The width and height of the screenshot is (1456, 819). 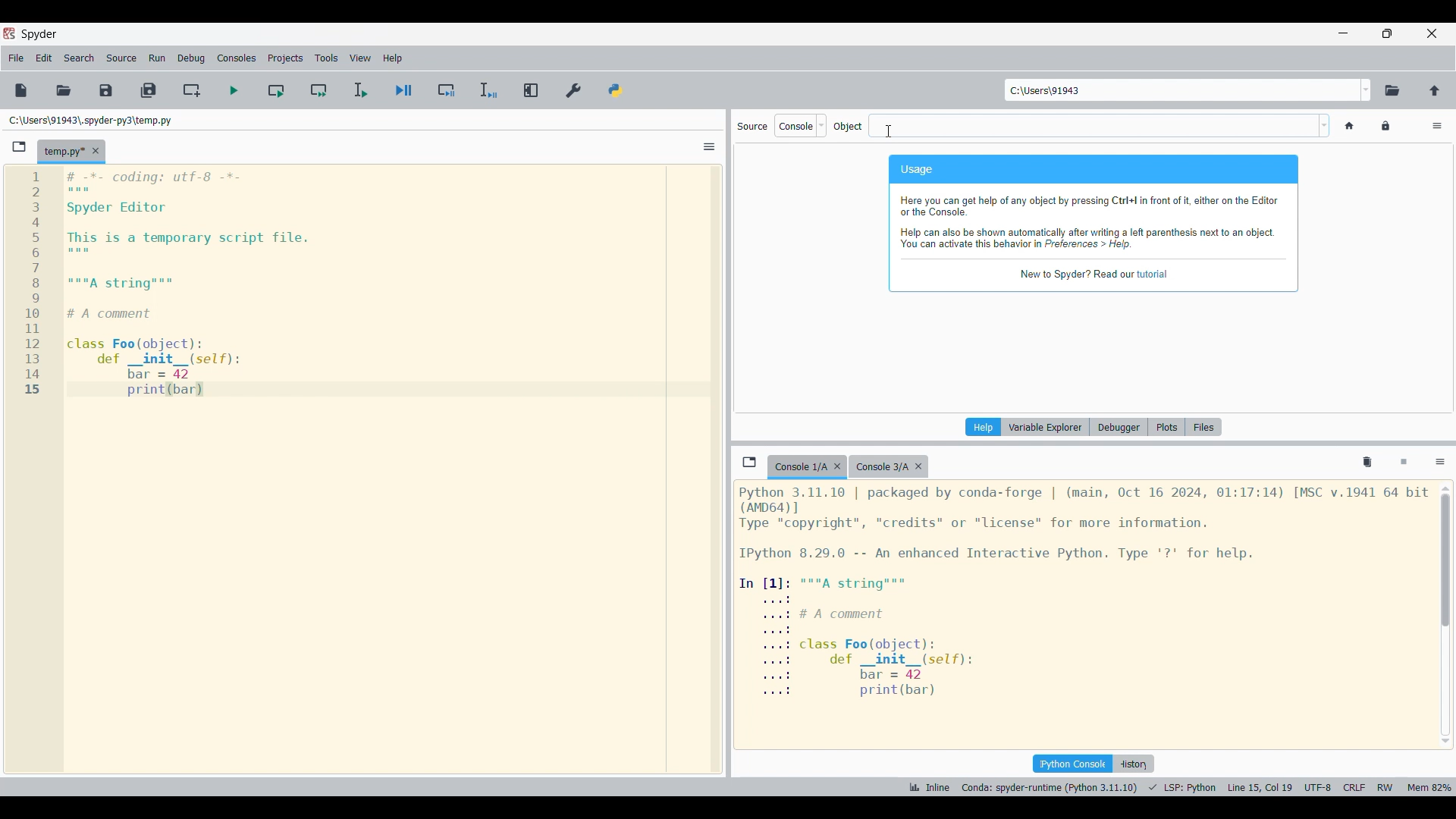 I want to click on Debug menu, so click(x=191, y=58).